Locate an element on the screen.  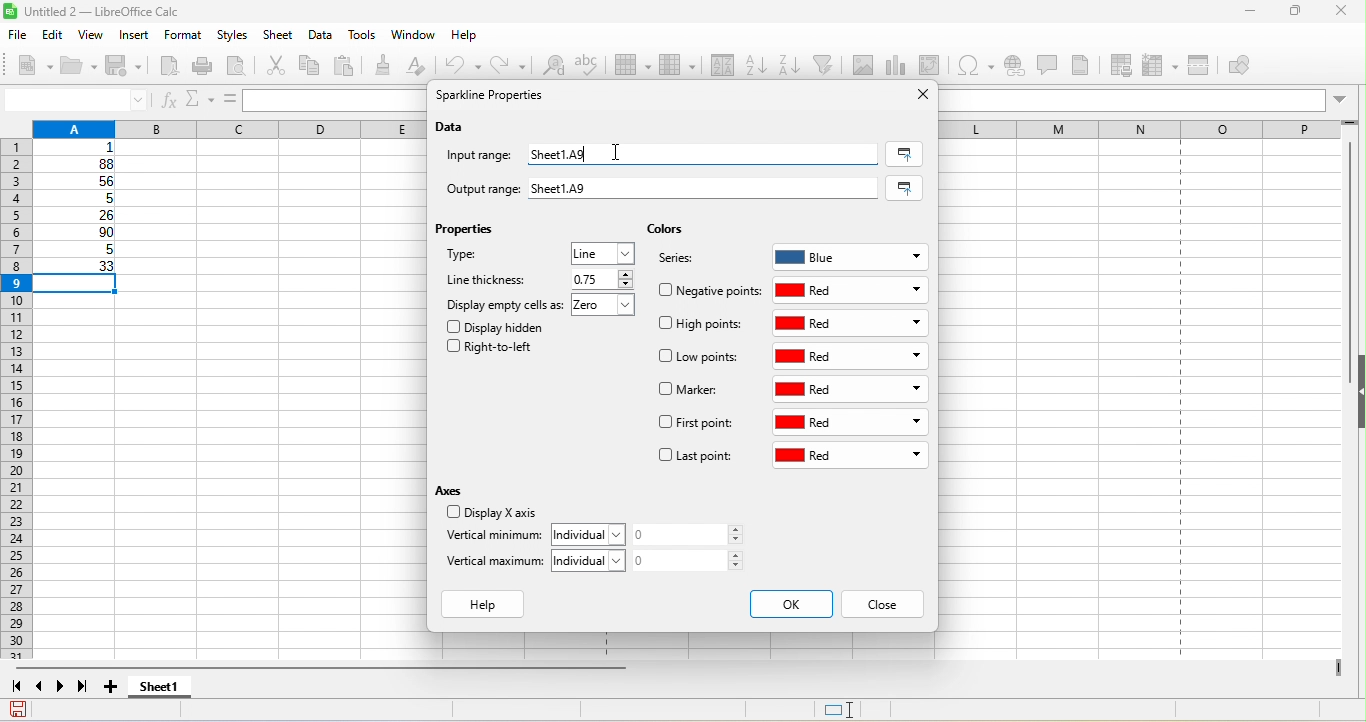
marker is located at coordinates (692, 391).